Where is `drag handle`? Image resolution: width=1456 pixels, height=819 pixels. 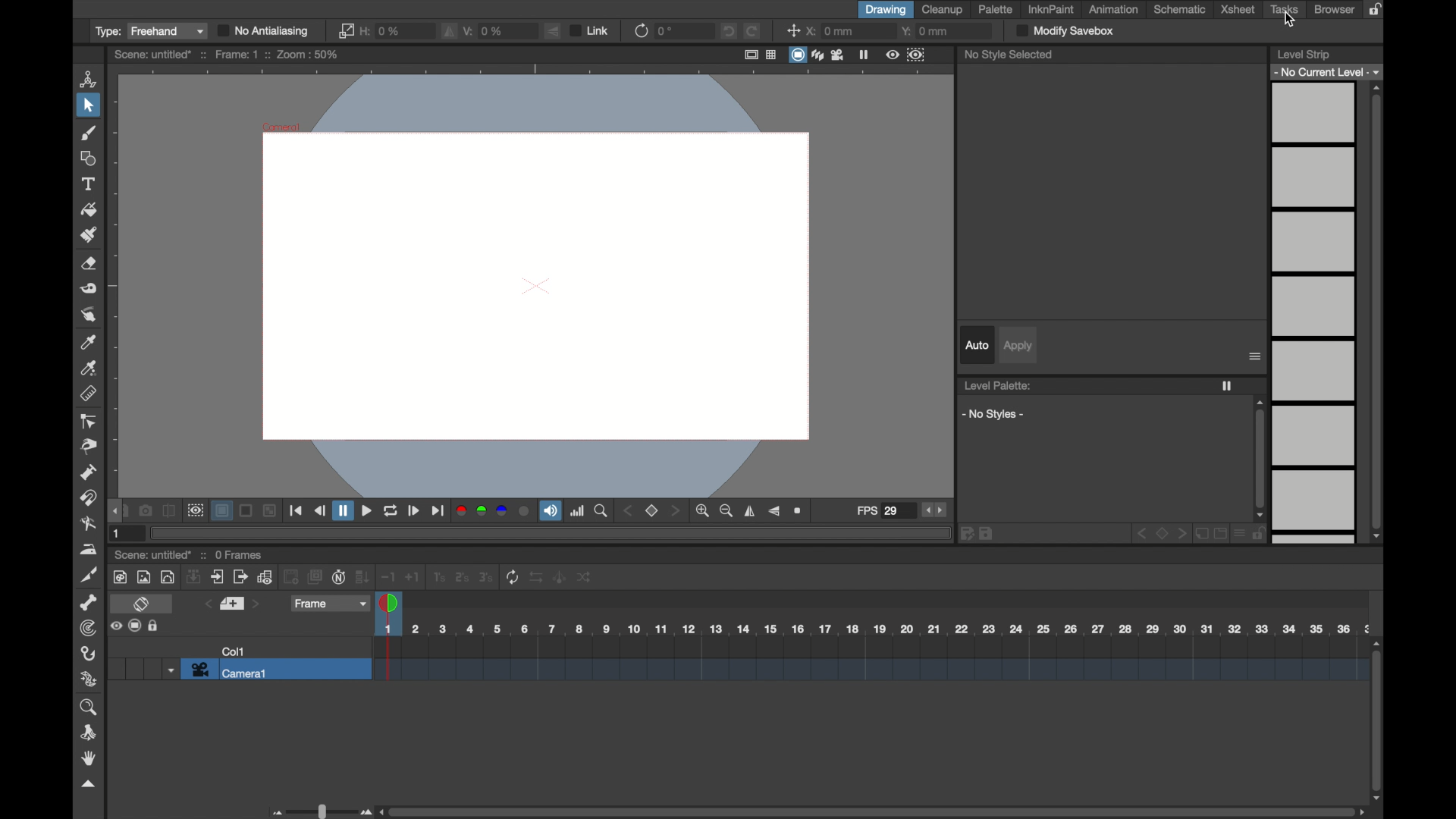 drag handle is located at coordinates (86, 785).